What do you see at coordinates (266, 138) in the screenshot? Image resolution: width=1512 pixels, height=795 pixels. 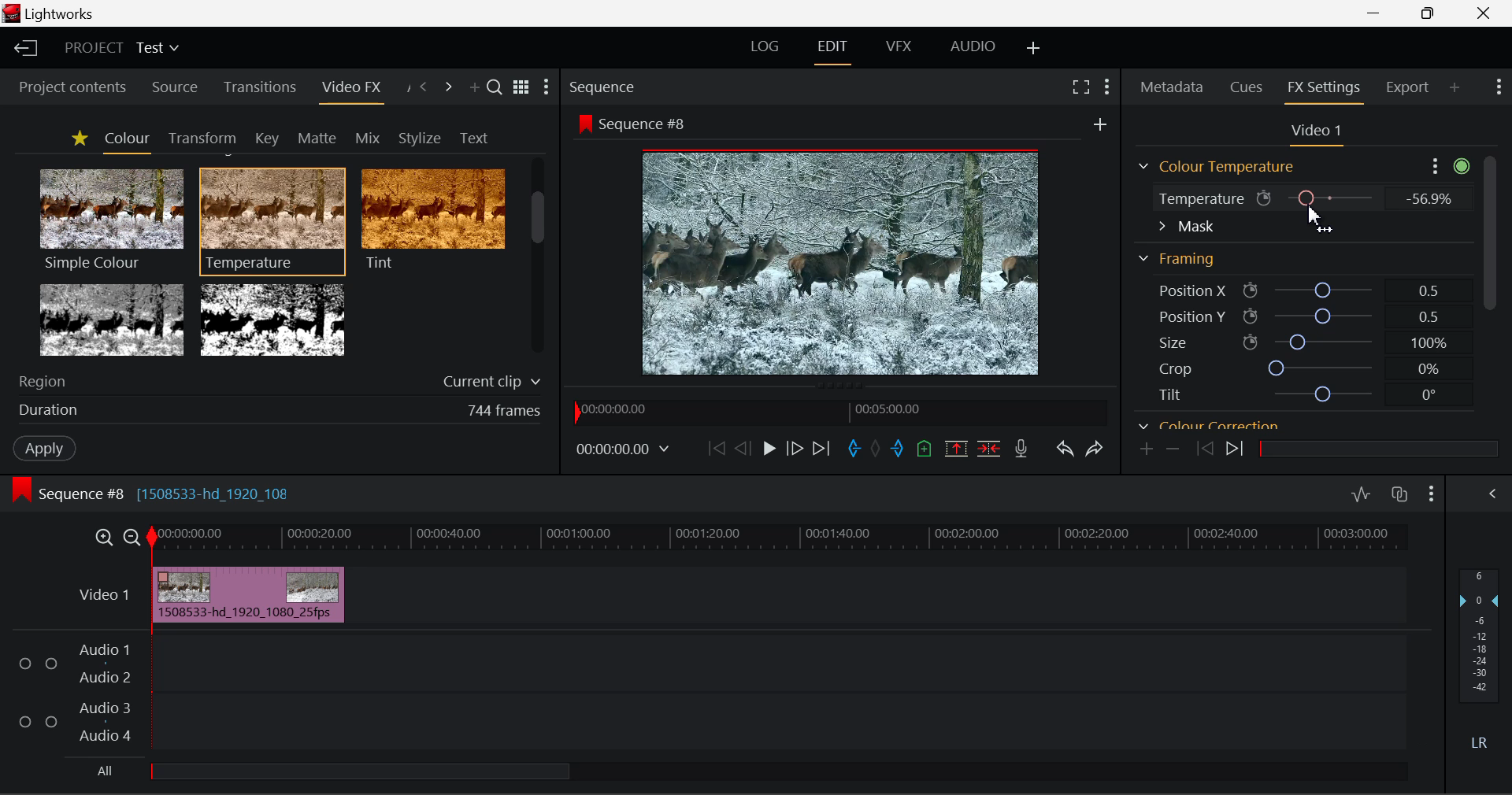 I see `Key` at bounding box center [266, 138].